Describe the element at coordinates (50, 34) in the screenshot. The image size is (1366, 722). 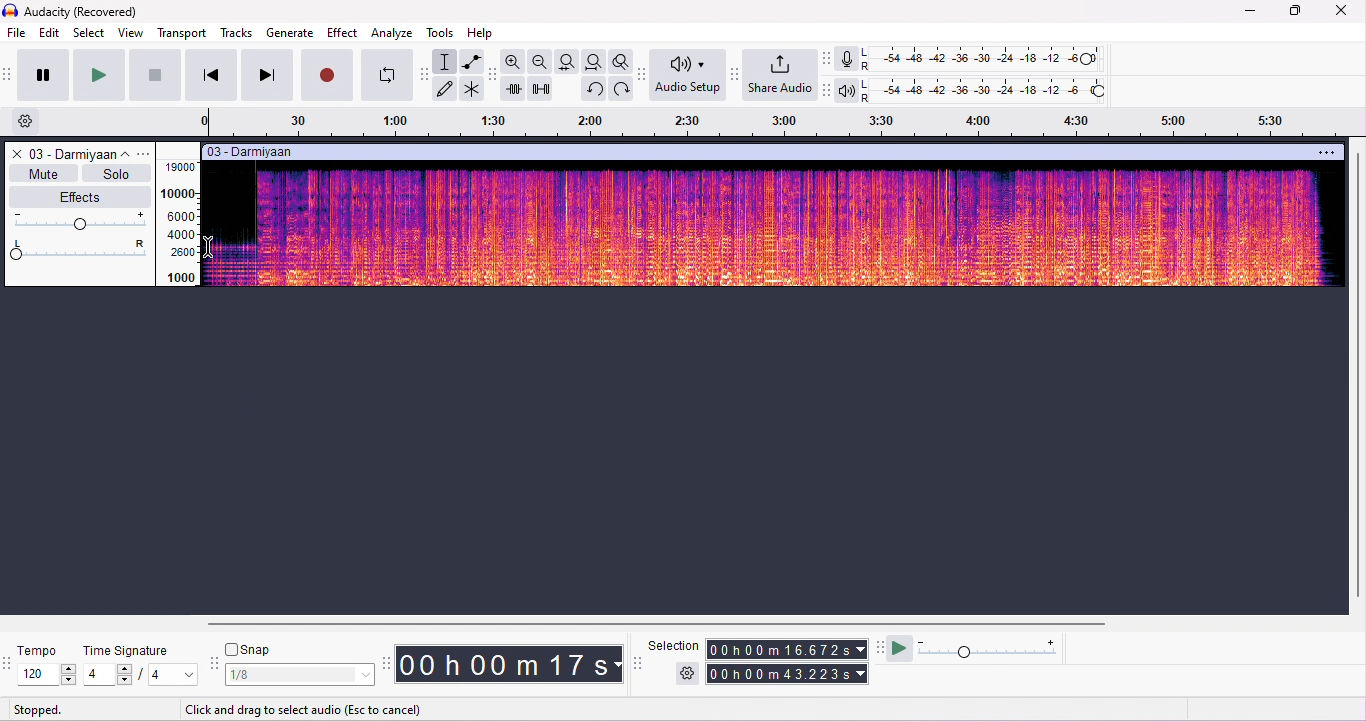
I see `edit` at that location.